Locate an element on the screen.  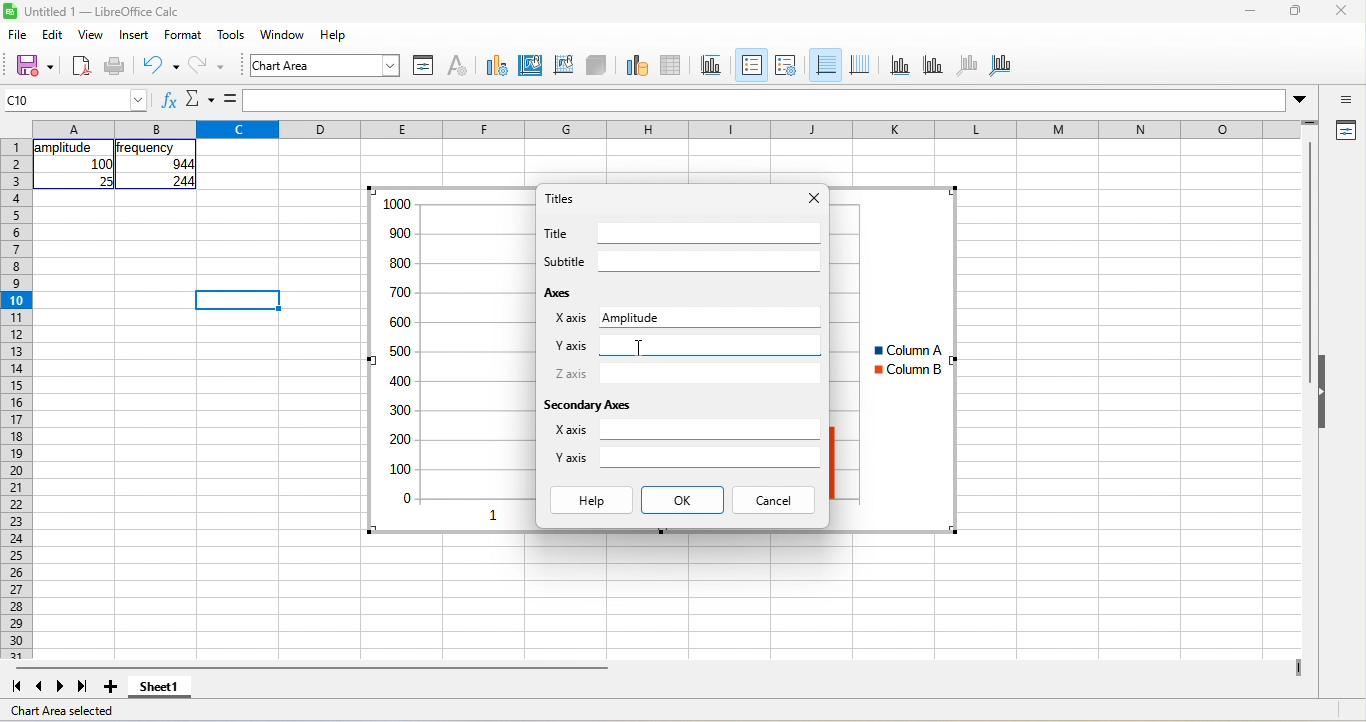
Input for z axis is located at coordinates (710, 374).